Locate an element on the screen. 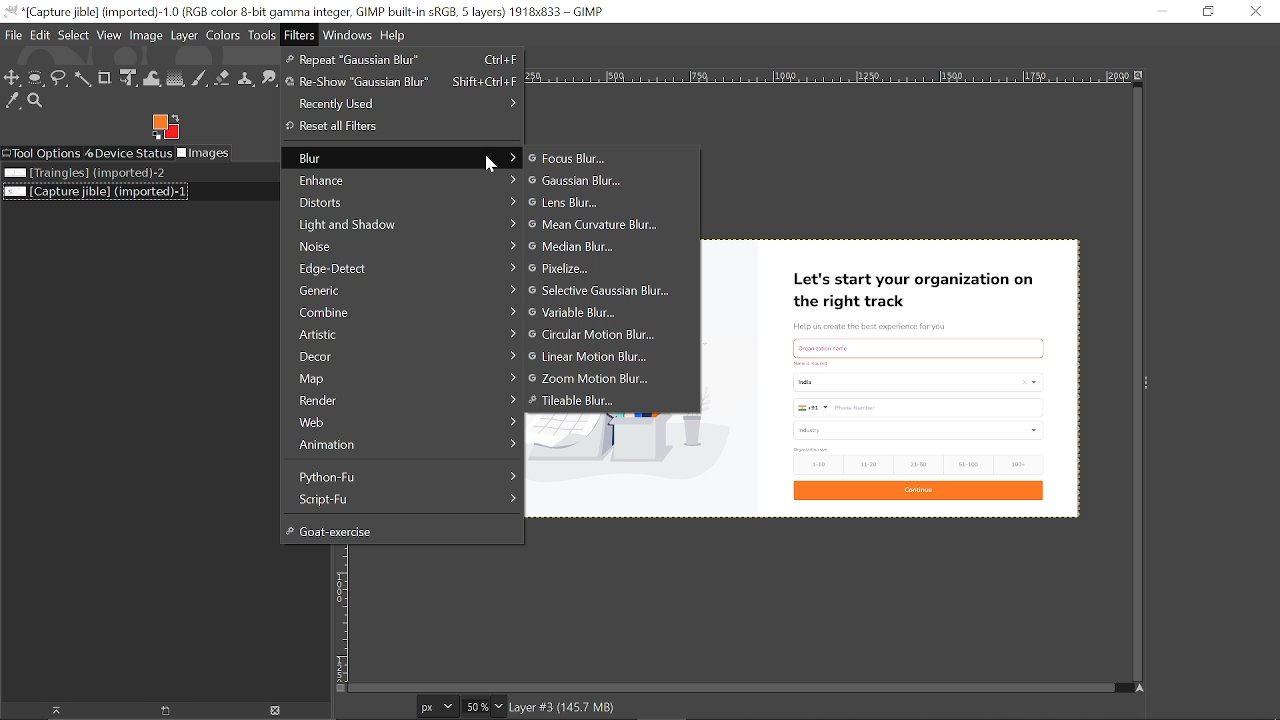 The height and width of the screenshot is (720, 1280). Artistic is located at coordinates (402, 334).